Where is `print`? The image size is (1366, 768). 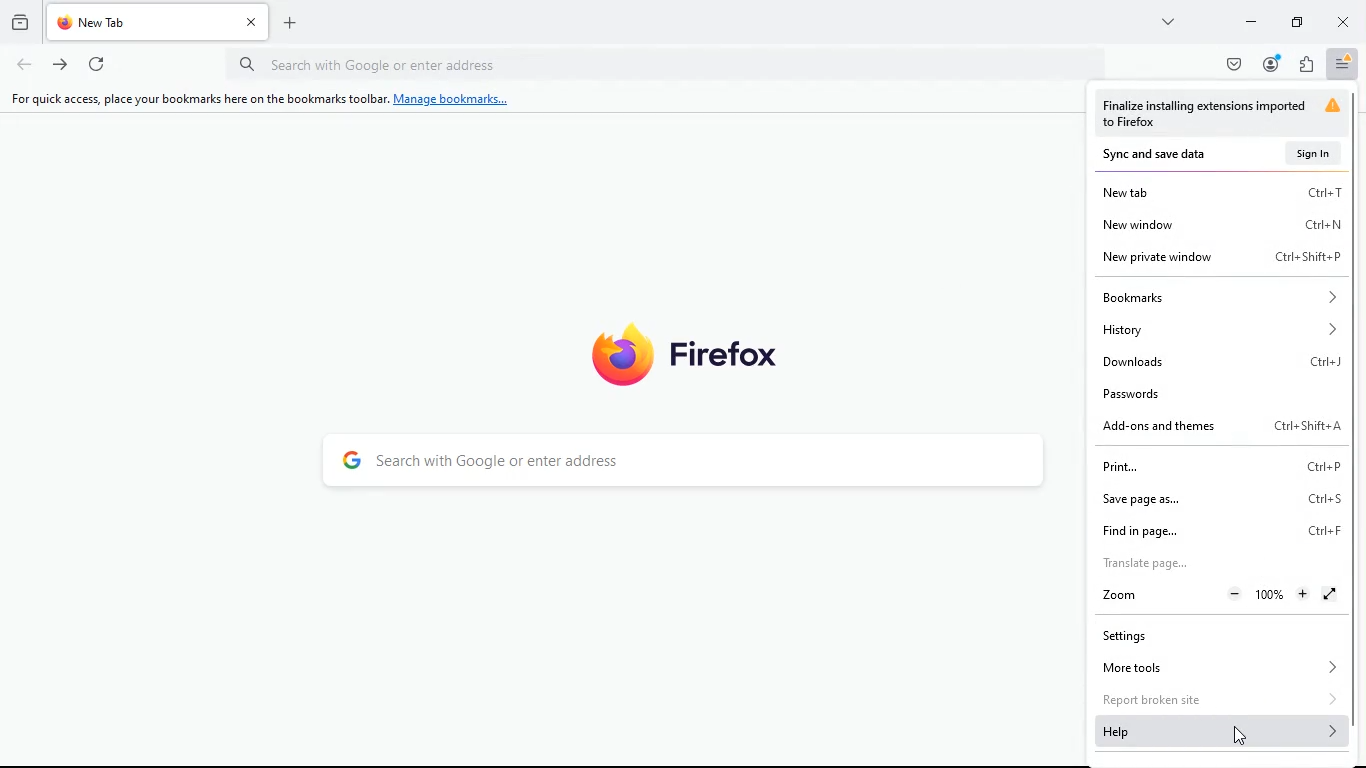
print is located at coordinates (1222, 467).